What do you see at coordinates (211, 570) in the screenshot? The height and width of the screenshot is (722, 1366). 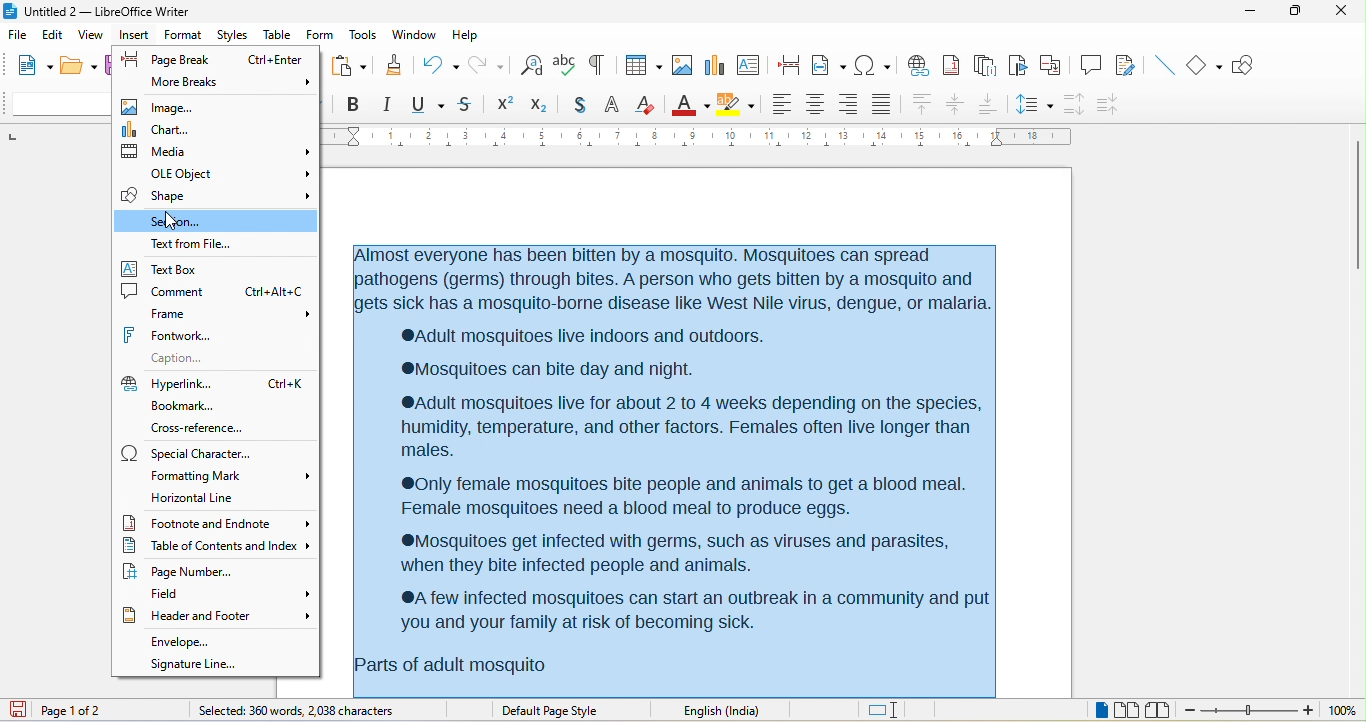 I see `page number` at bounding box center [211, 570].